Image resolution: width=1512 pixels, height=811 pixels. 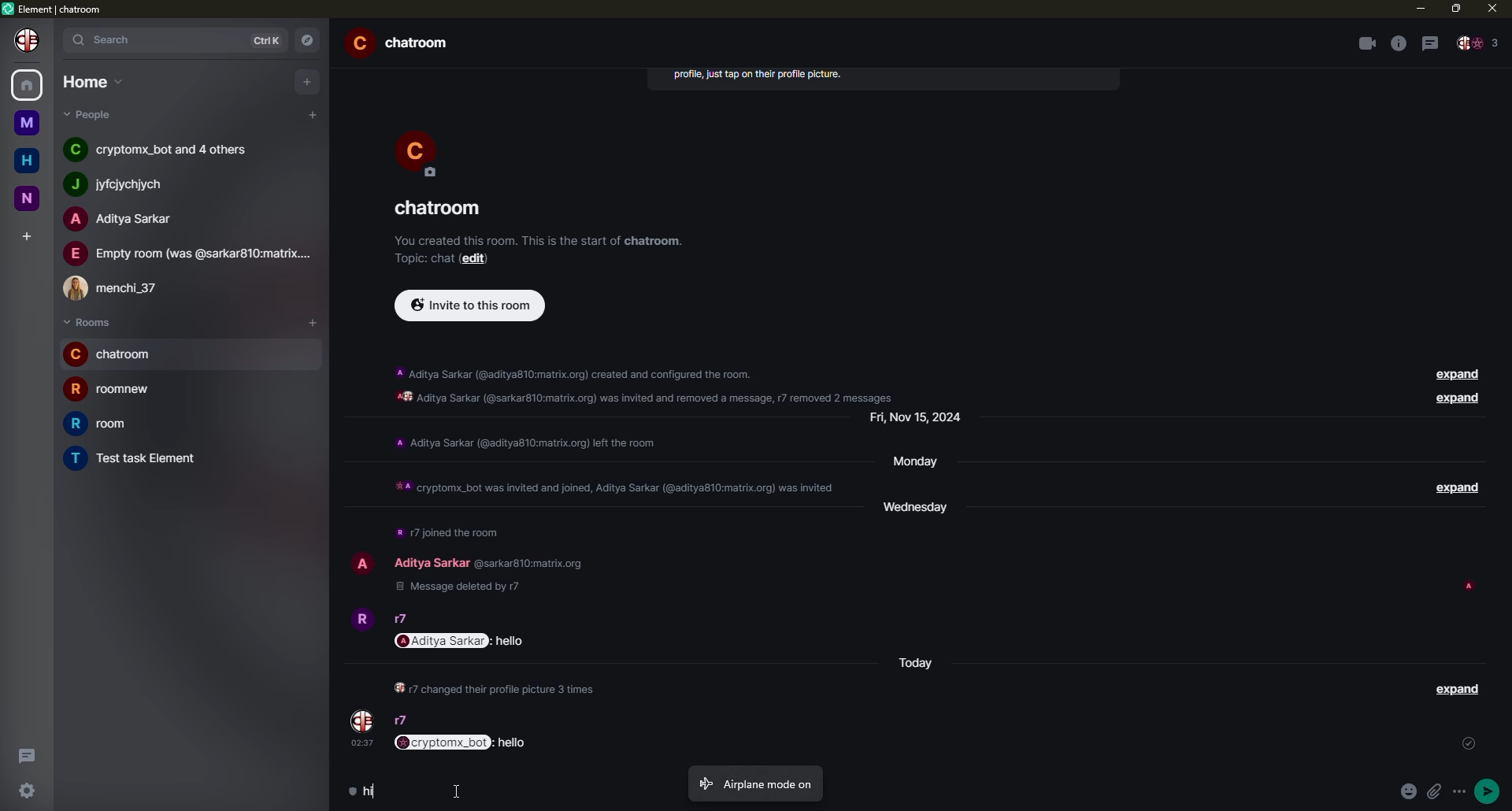 I want to click on search, so click(x=114, y=39).